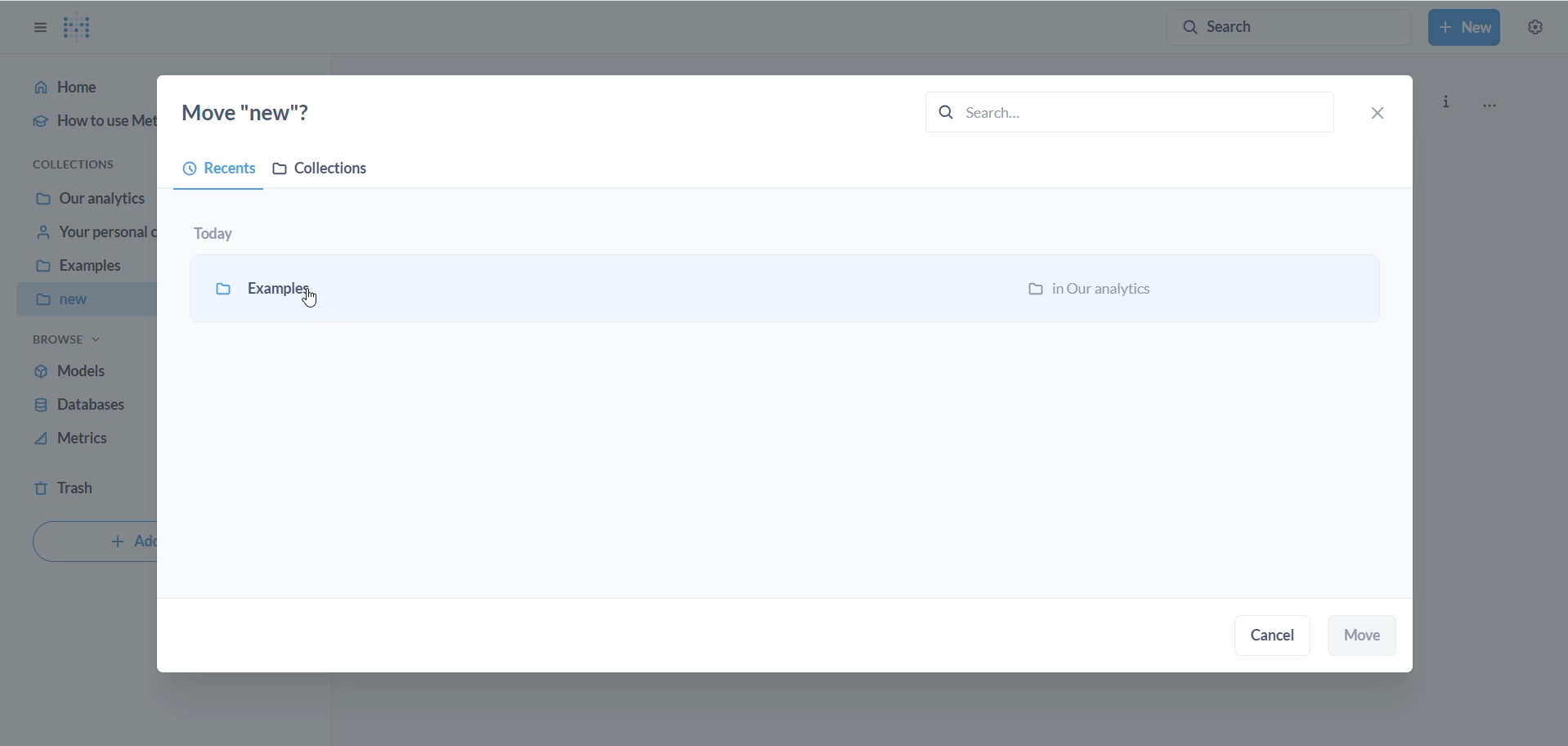 The width and height of the screenshot is (1568, 746). What do you see at coordinates (311, 298) in the screenshot?
I see `CURSOR` at bounding box center [311, 298].